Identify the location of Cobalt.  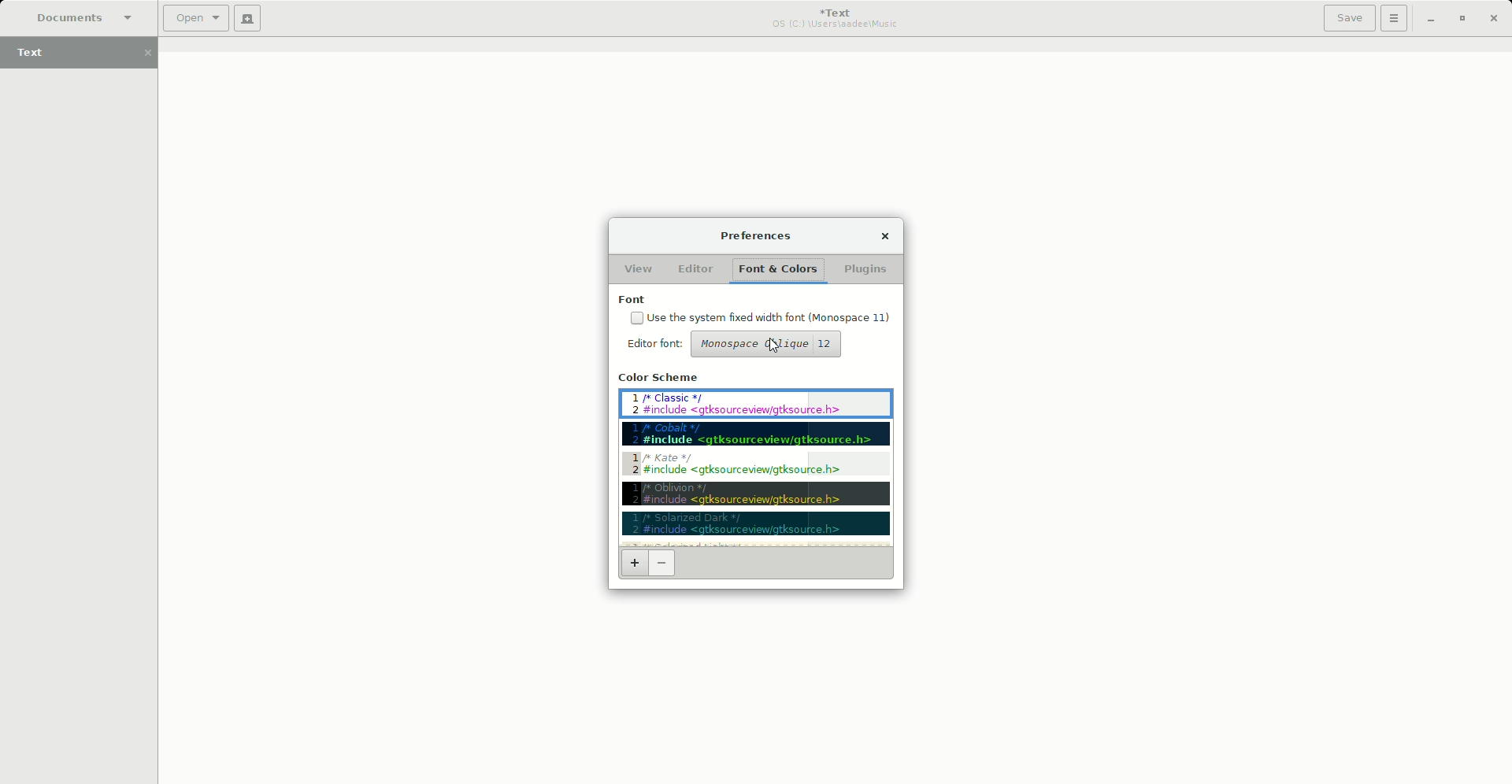
(758, 435).